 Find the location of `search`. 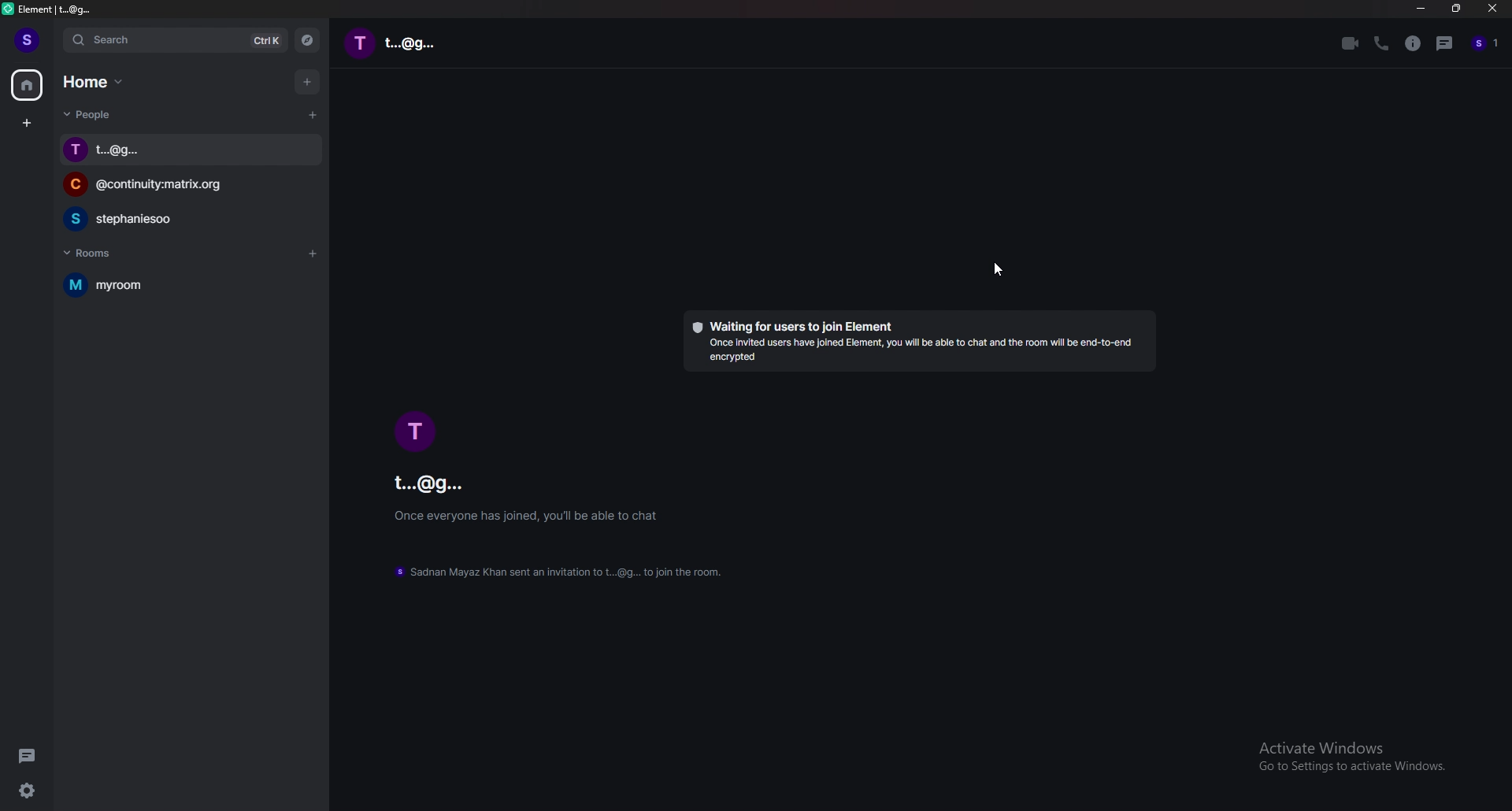

search is located at coordinates (177, 41).